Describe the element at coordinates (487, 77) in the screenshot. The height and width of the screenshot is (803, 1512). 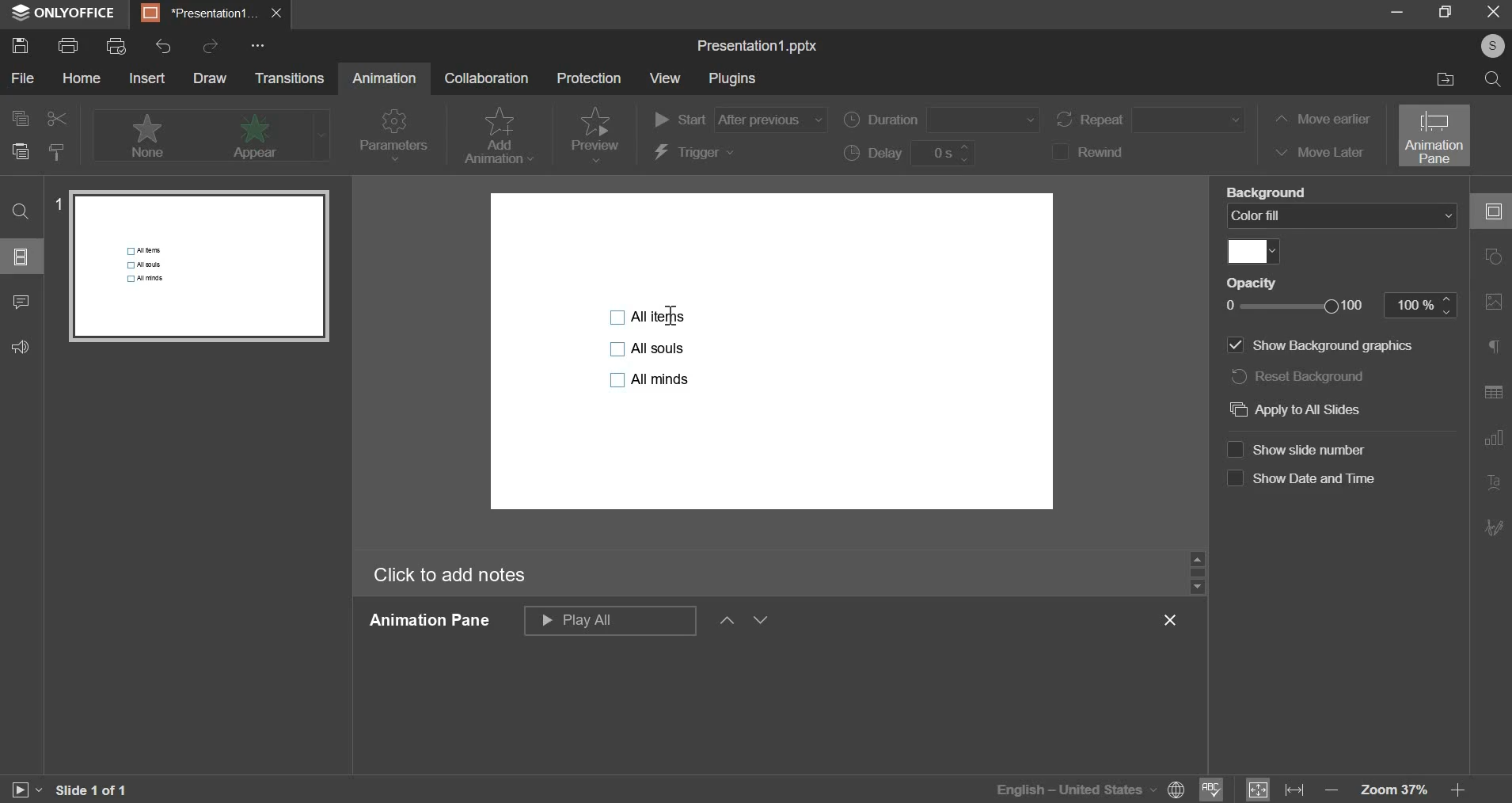
I see `collaboration` at that location.